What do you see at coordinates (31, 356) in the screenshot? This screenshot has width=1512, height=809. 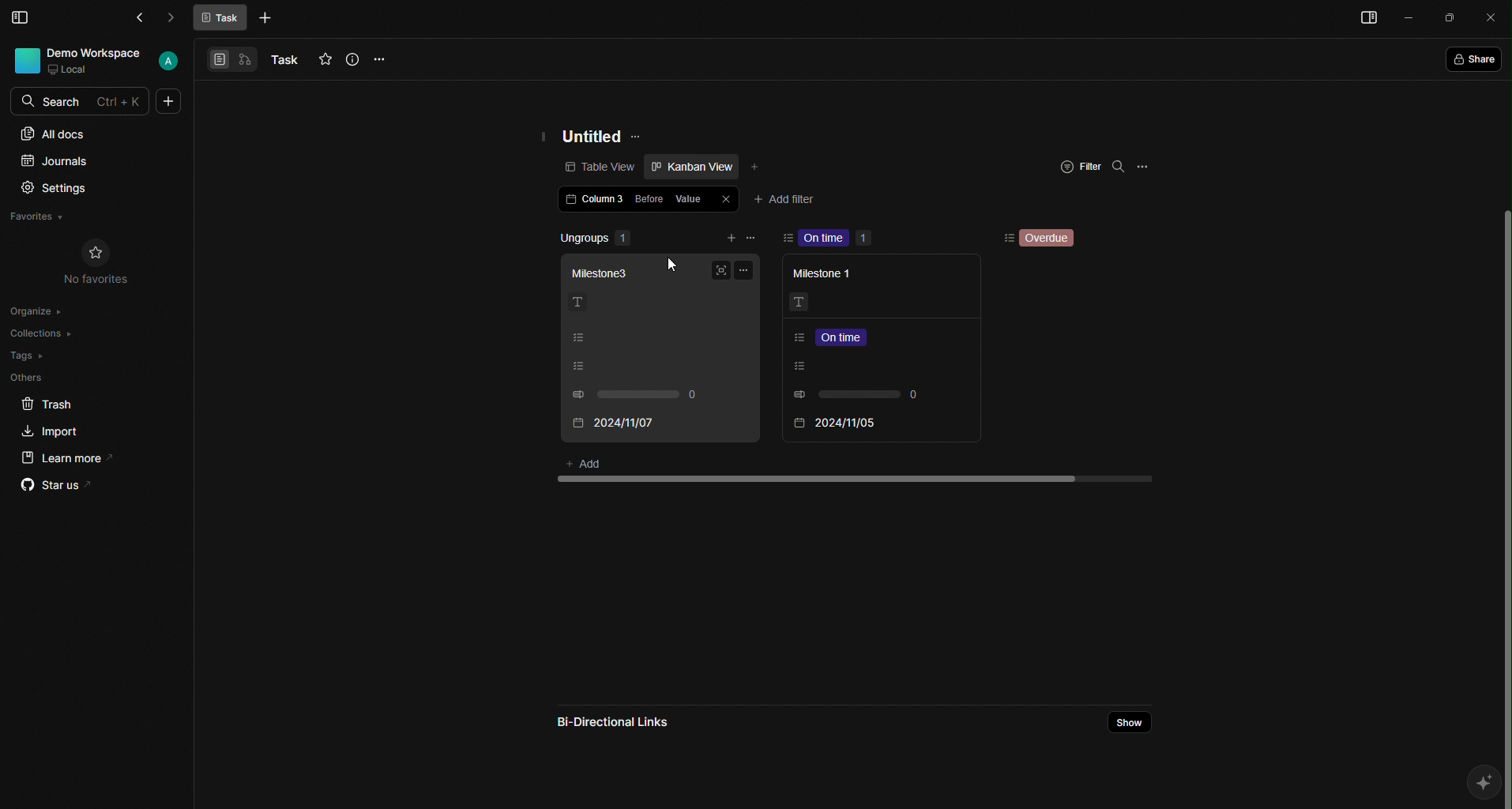 I see `Tags` at bounding box center [31, 356].